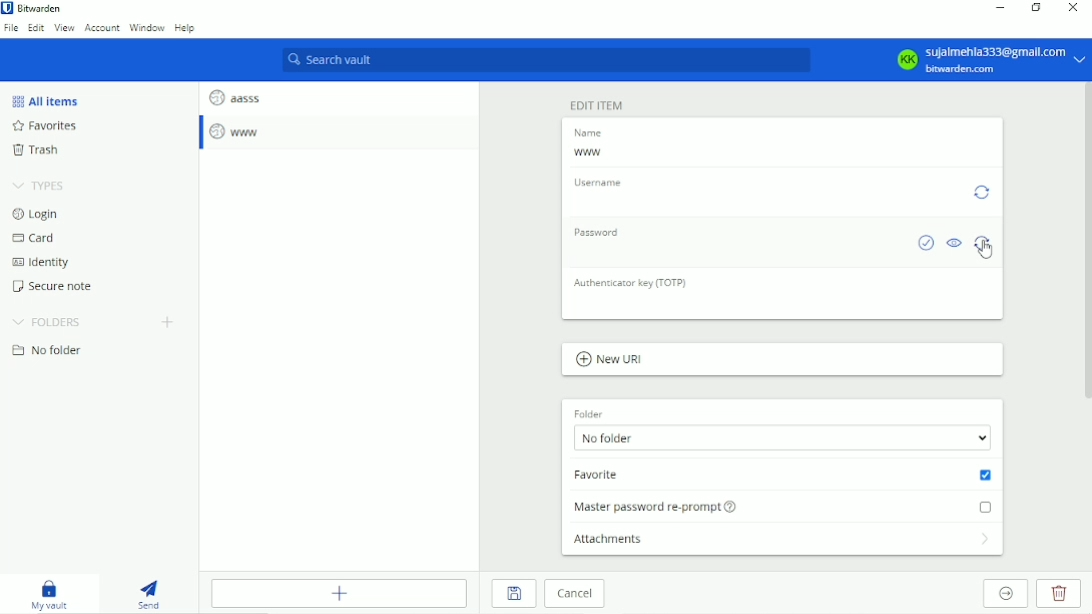  What do you see at coordinates (513, 594) in the screenshot?
I see `Save` at bounding box center [513, 594].